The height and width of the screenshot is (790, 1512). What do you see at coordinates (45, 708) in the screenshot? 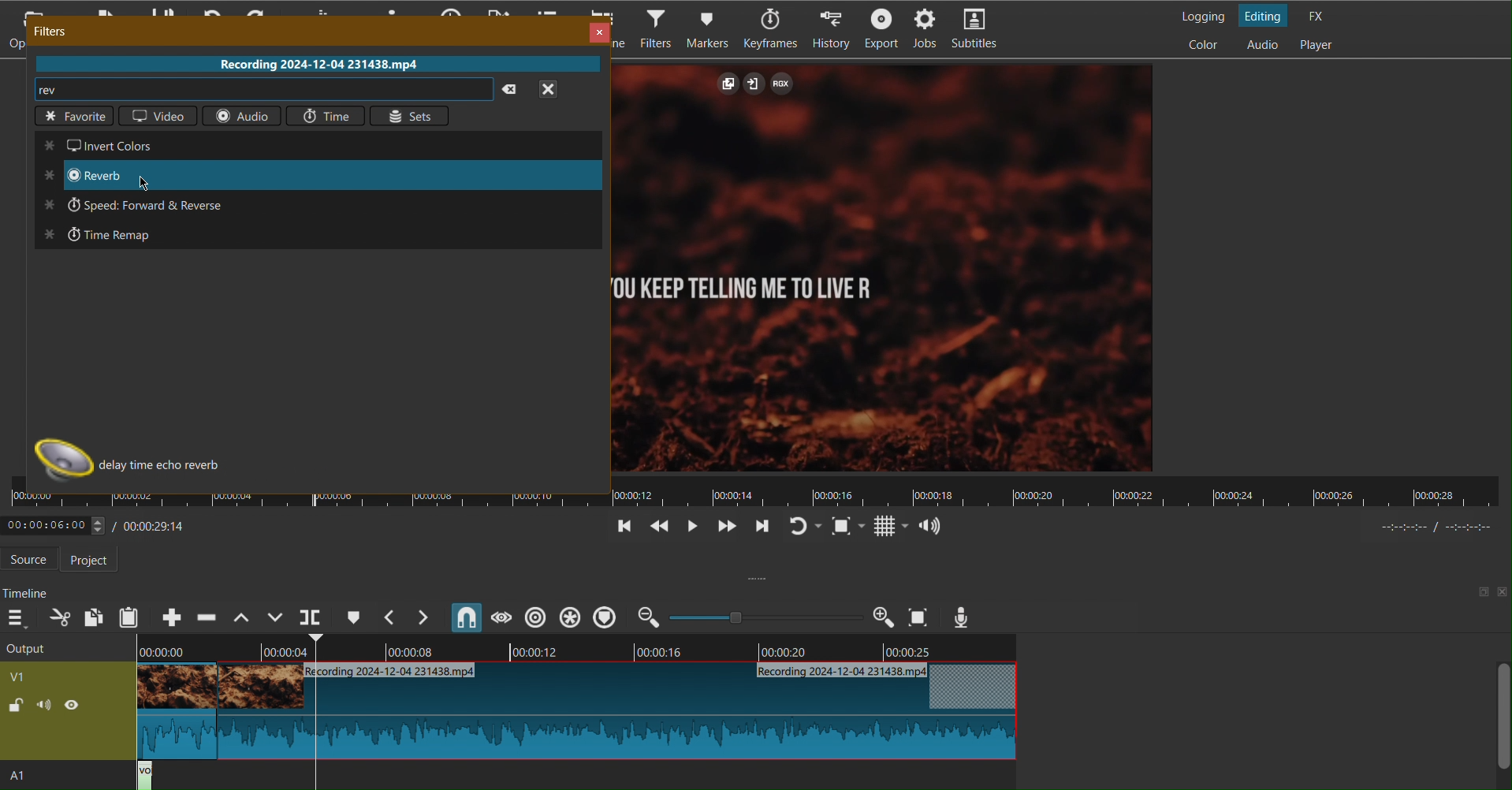
I see `sound` at bounding box center [45, 708].